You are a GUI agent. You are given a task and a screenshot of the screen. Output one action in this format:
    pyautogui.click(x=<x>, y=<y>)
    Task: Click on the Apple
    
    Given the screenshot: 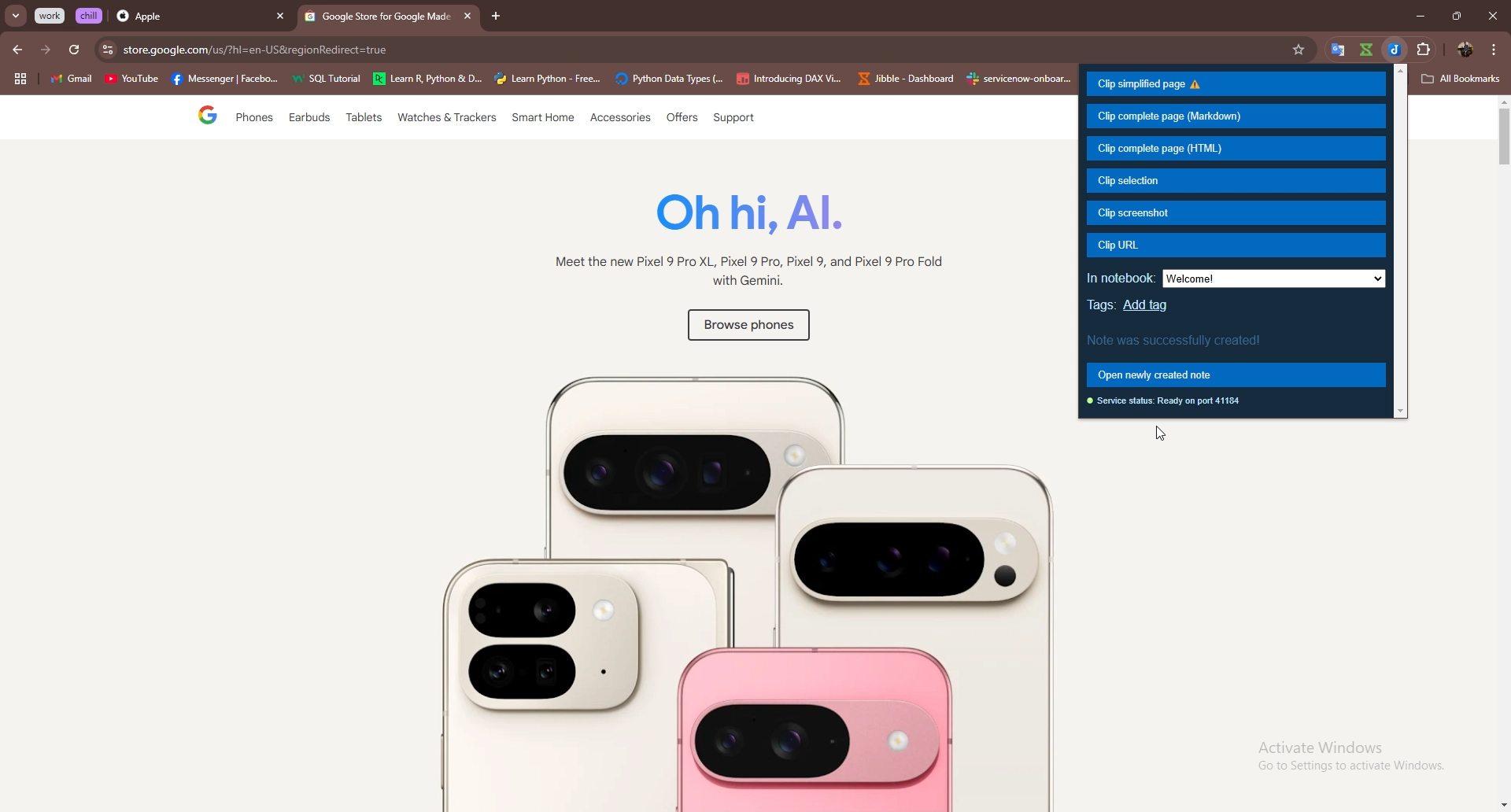 What is the action you would take?
    pyautogui.click(x=187, y=17)
    